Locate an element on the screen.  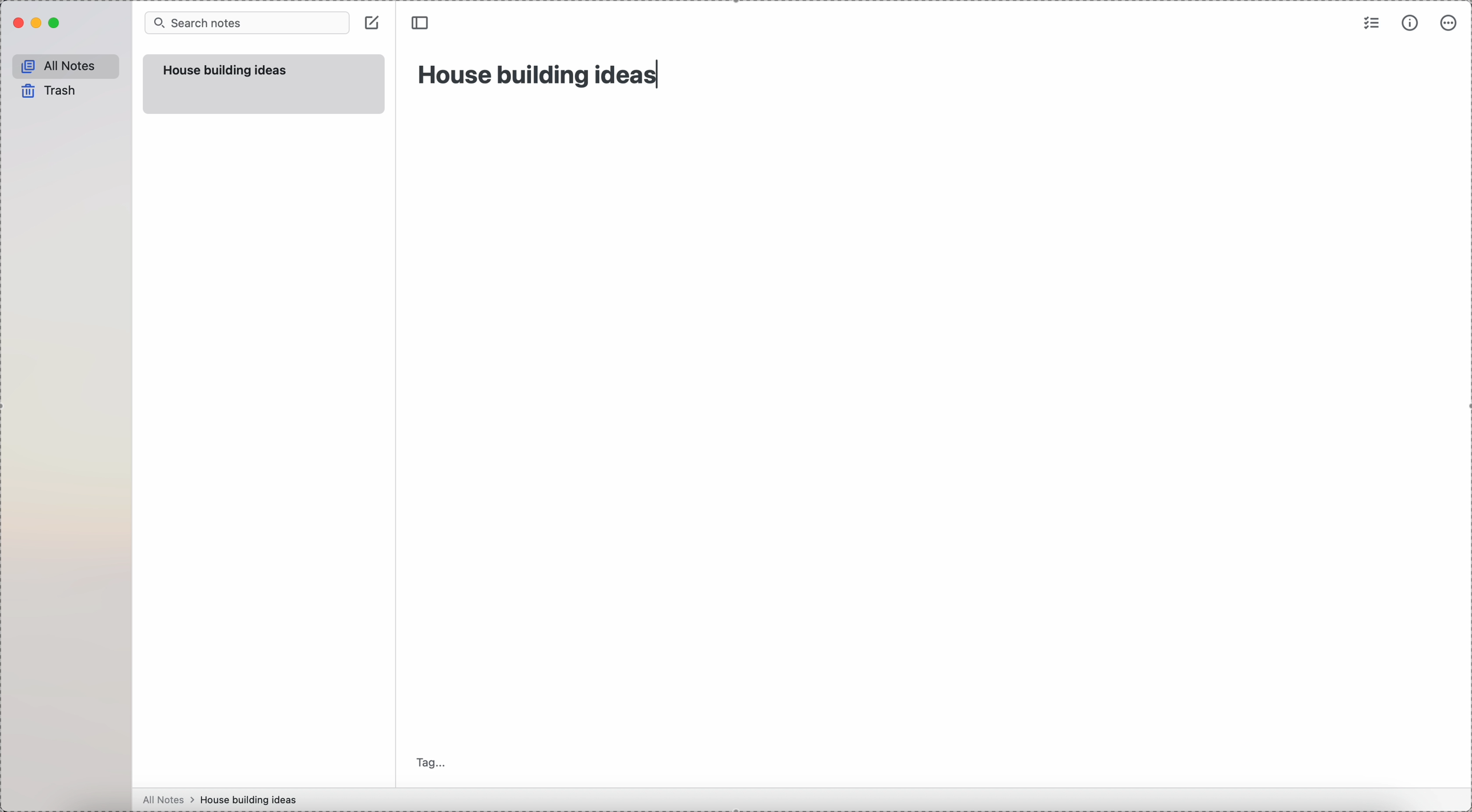
metrics is located at coordinates (1410, 25).